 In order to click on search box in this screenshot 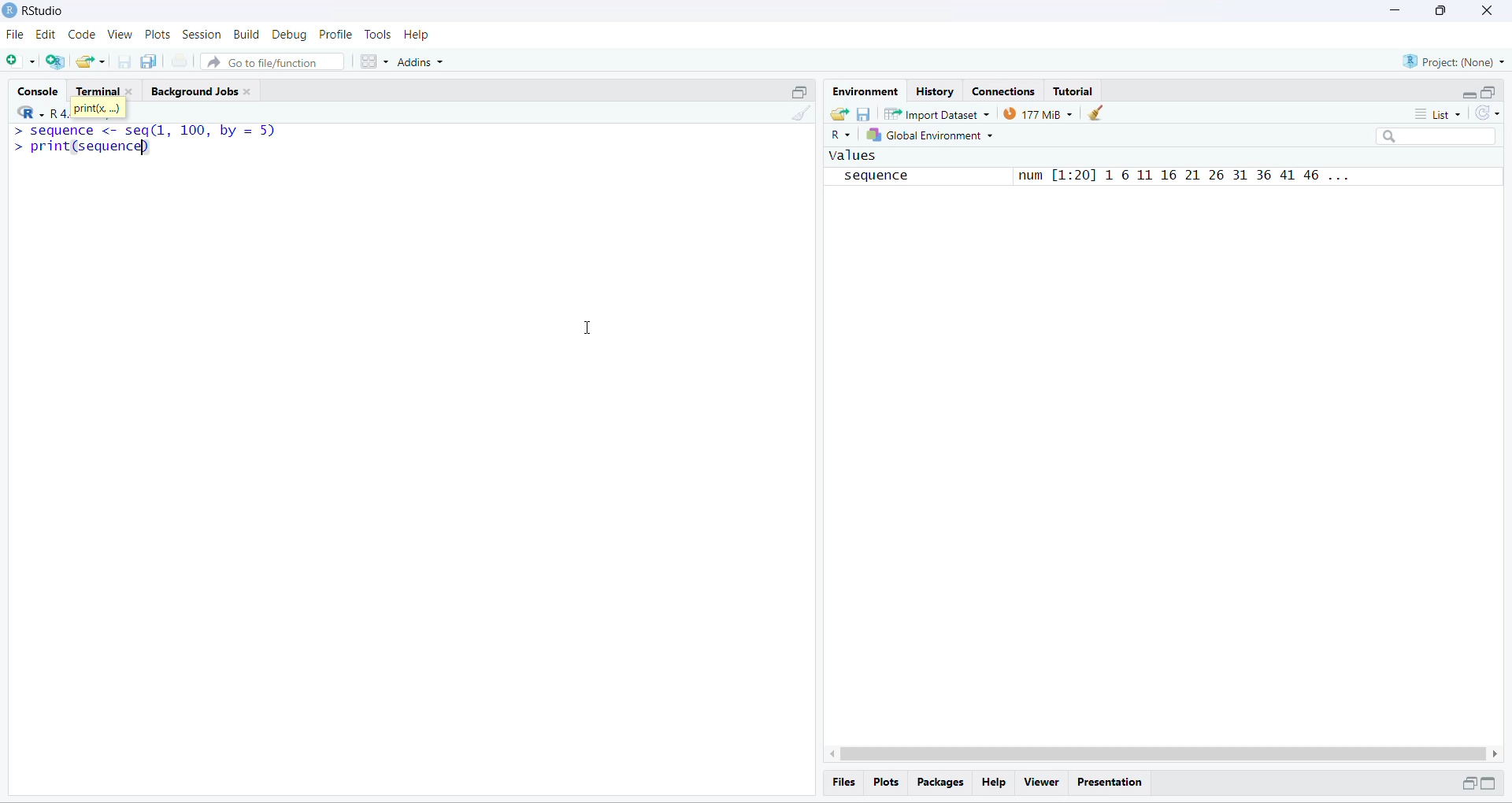, I will do `click(1440, 136)`.